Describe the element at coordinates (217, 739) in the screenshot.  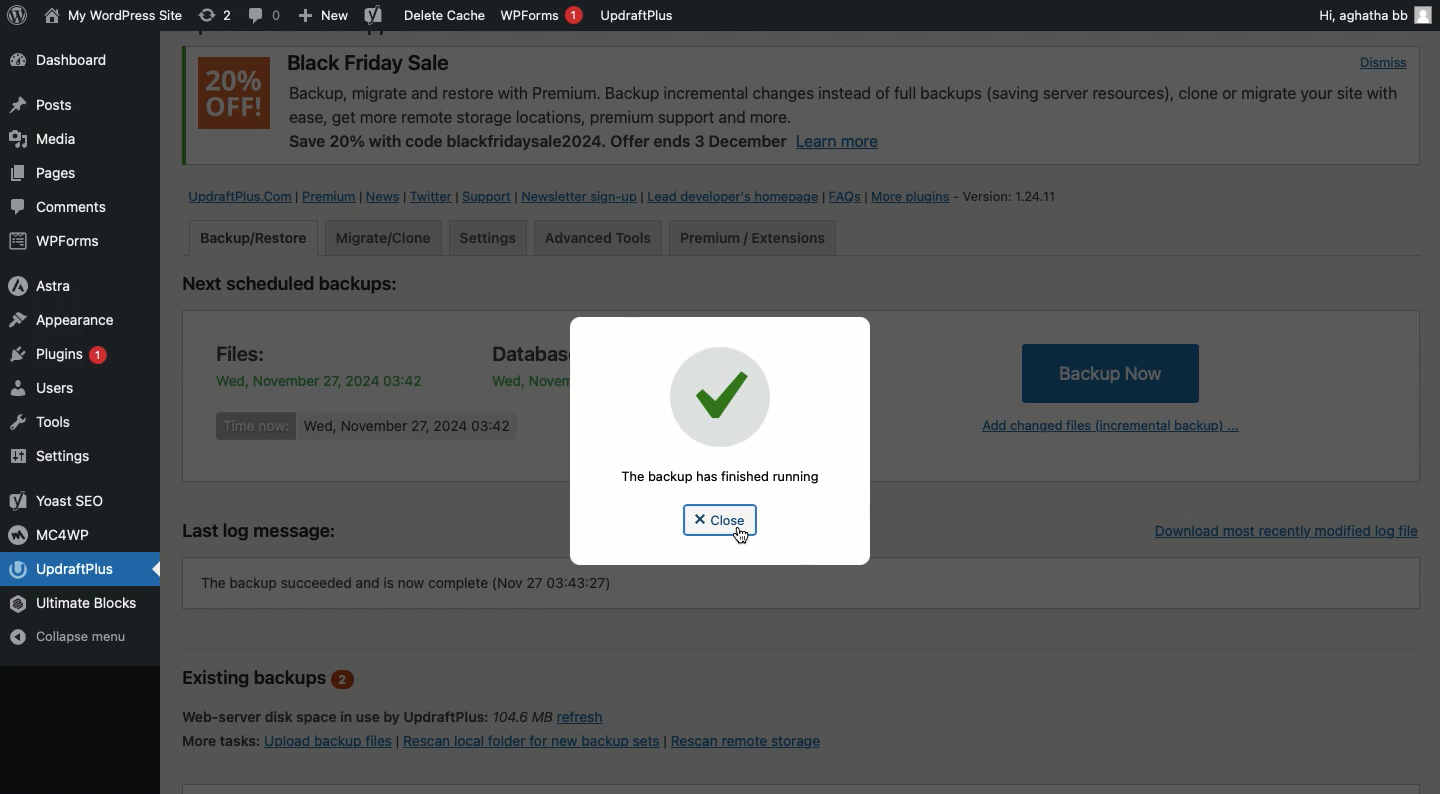
I see `More tasks:` at that location.